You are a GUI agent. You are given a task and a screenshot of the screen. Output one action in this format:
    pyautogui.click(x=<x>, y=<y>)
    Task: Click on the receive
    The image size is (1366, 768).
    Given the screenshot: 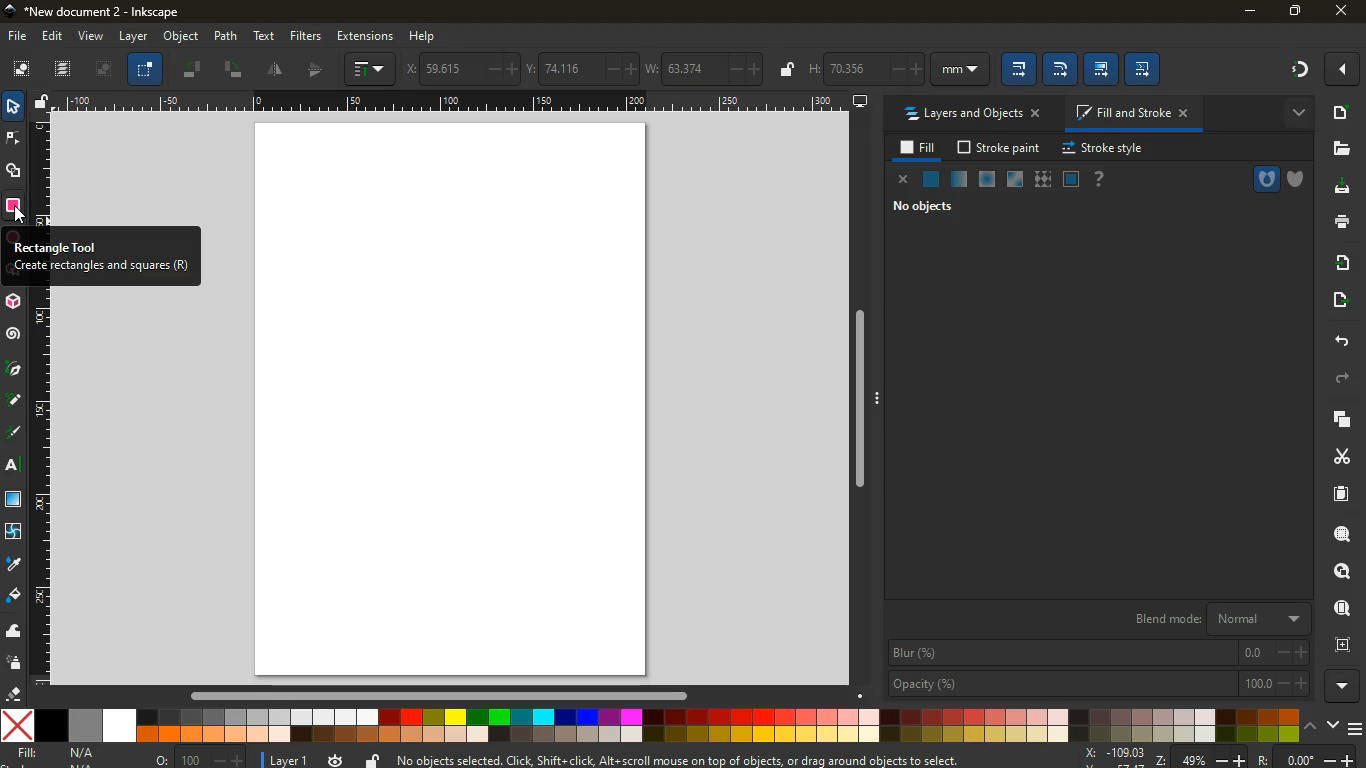 What is the action you would take?
    pyautogui.click(x=1339, y=264)
    